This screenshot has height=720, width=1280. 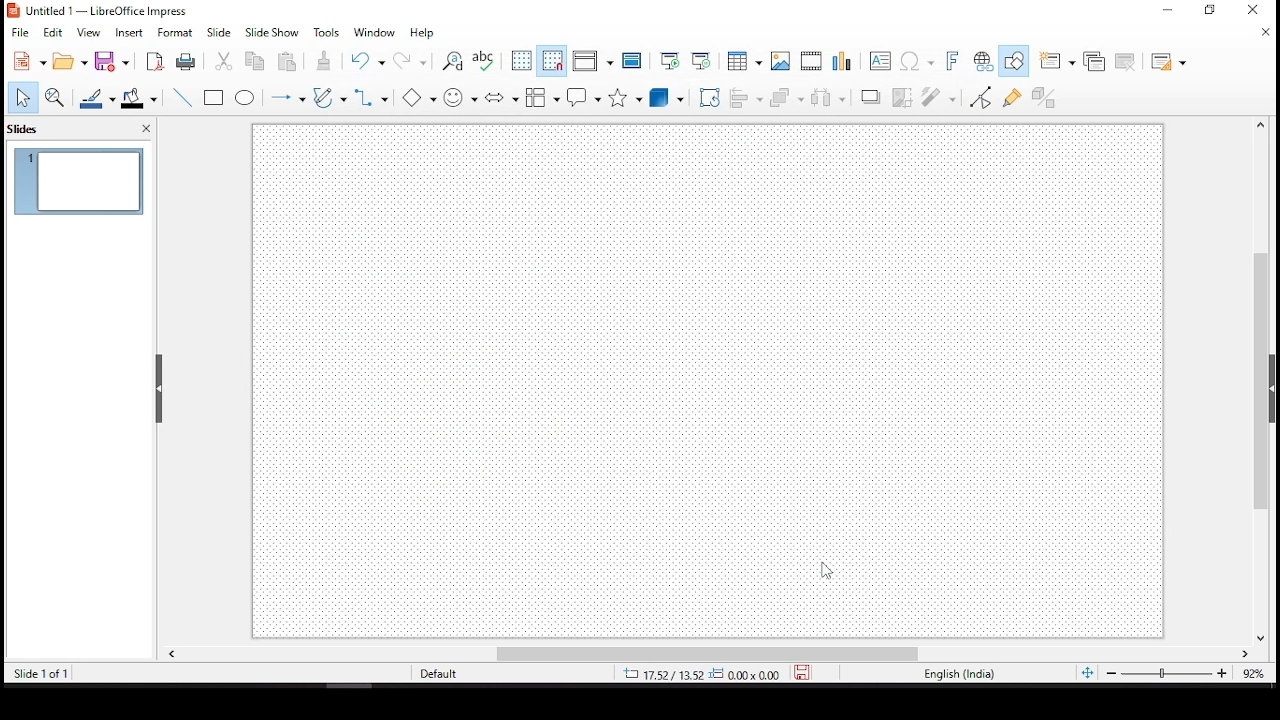 I want to click on toggle point edit mode, so click(x=980, y=98).